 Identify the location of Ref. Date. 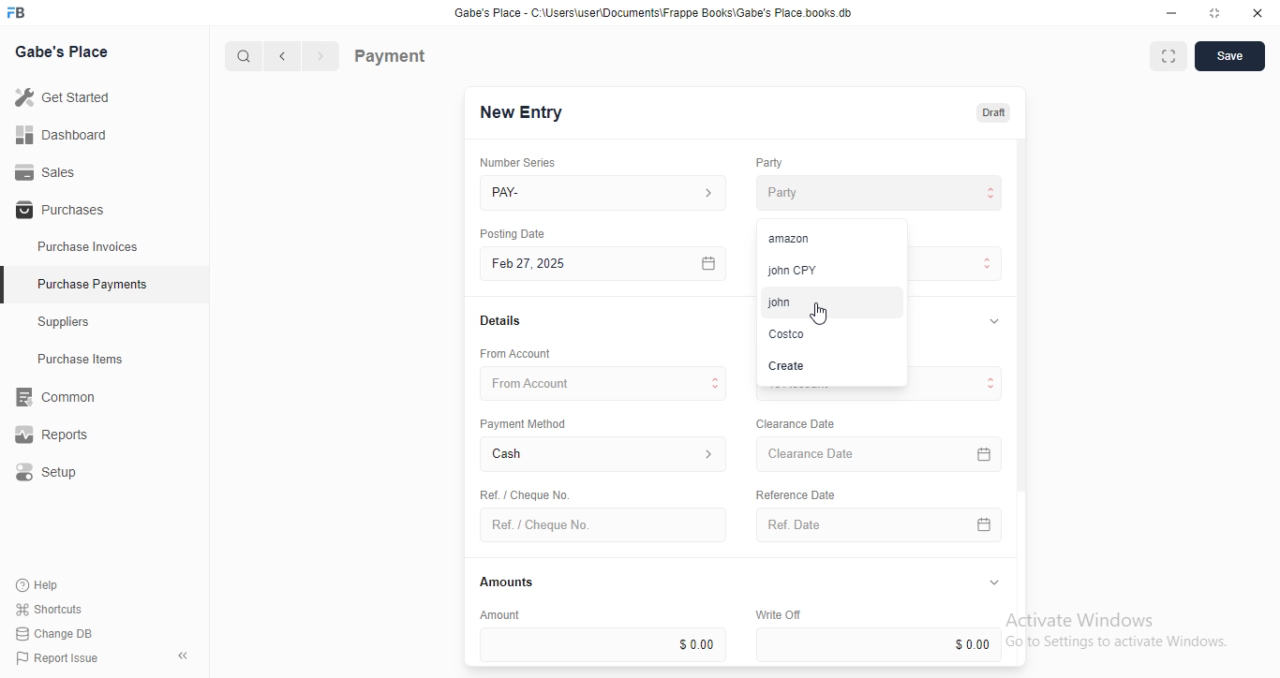
(879, 525).